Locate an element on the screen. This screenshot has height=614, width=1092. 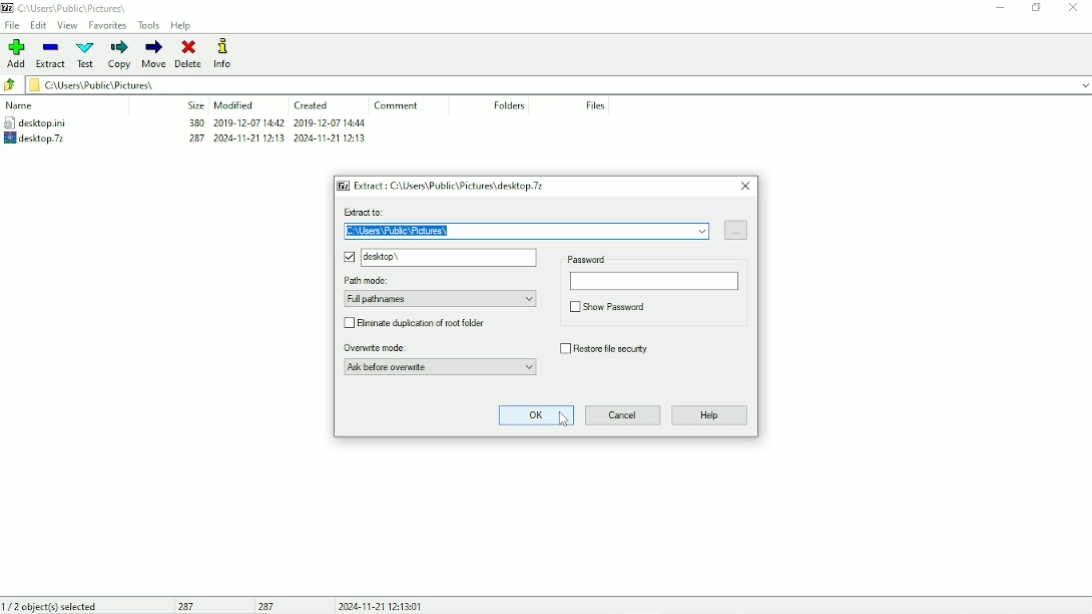
enable checkbox is located at coordinates (348, 257).